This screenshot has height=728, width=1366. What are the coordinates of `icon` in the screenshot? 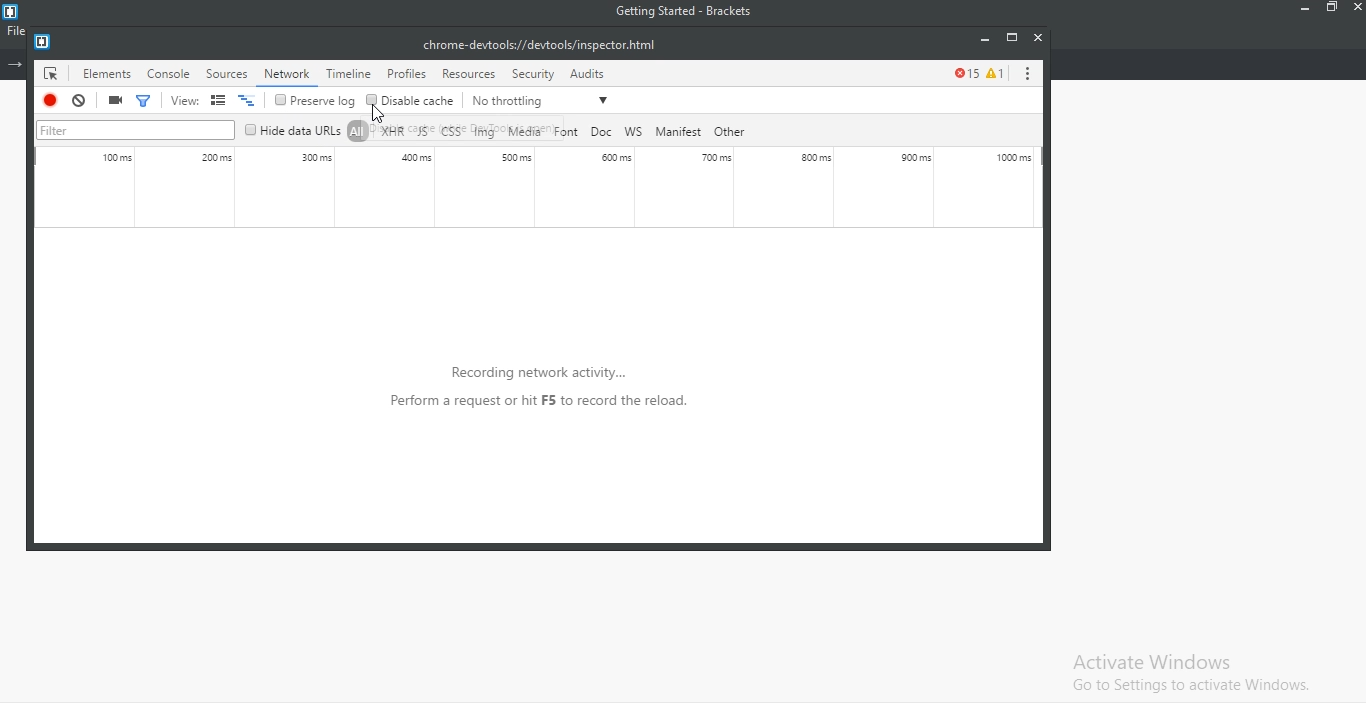 It's located at (47, 75).